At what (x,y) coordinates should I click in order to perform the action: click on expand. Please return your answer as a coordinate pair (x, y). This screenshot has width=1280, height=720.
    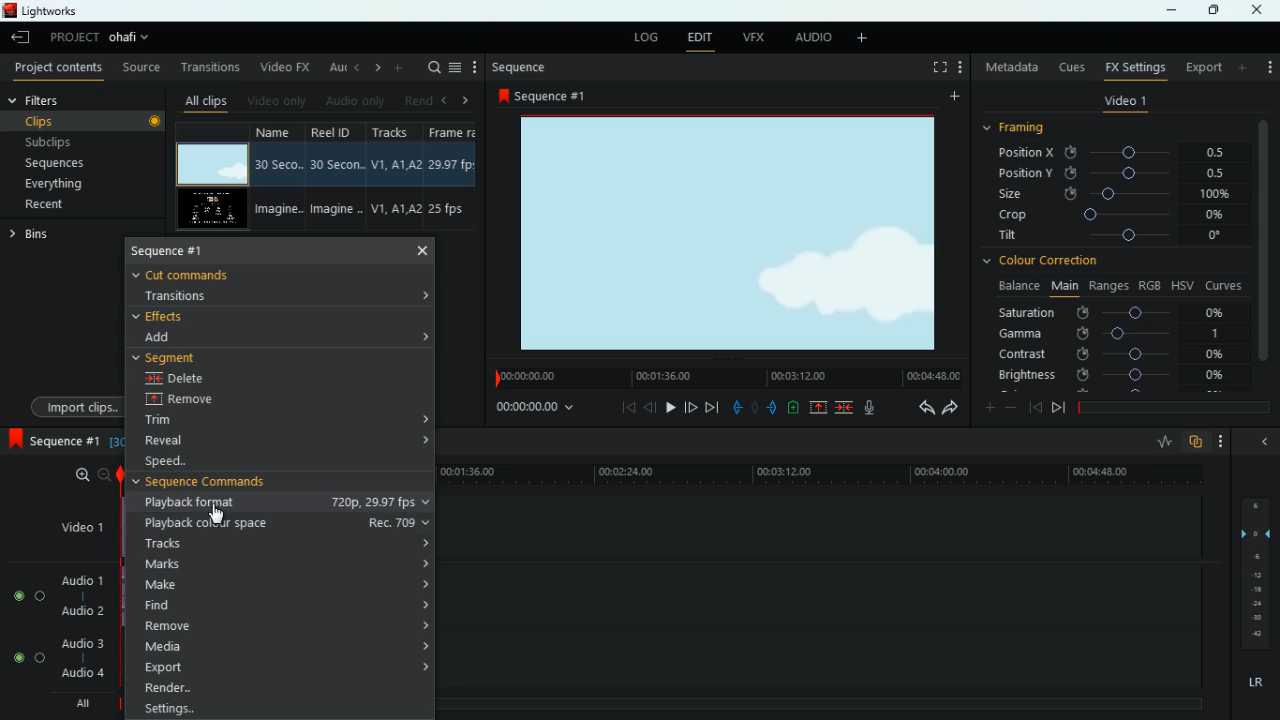
    Looking at the image, I should click on (422, 293).